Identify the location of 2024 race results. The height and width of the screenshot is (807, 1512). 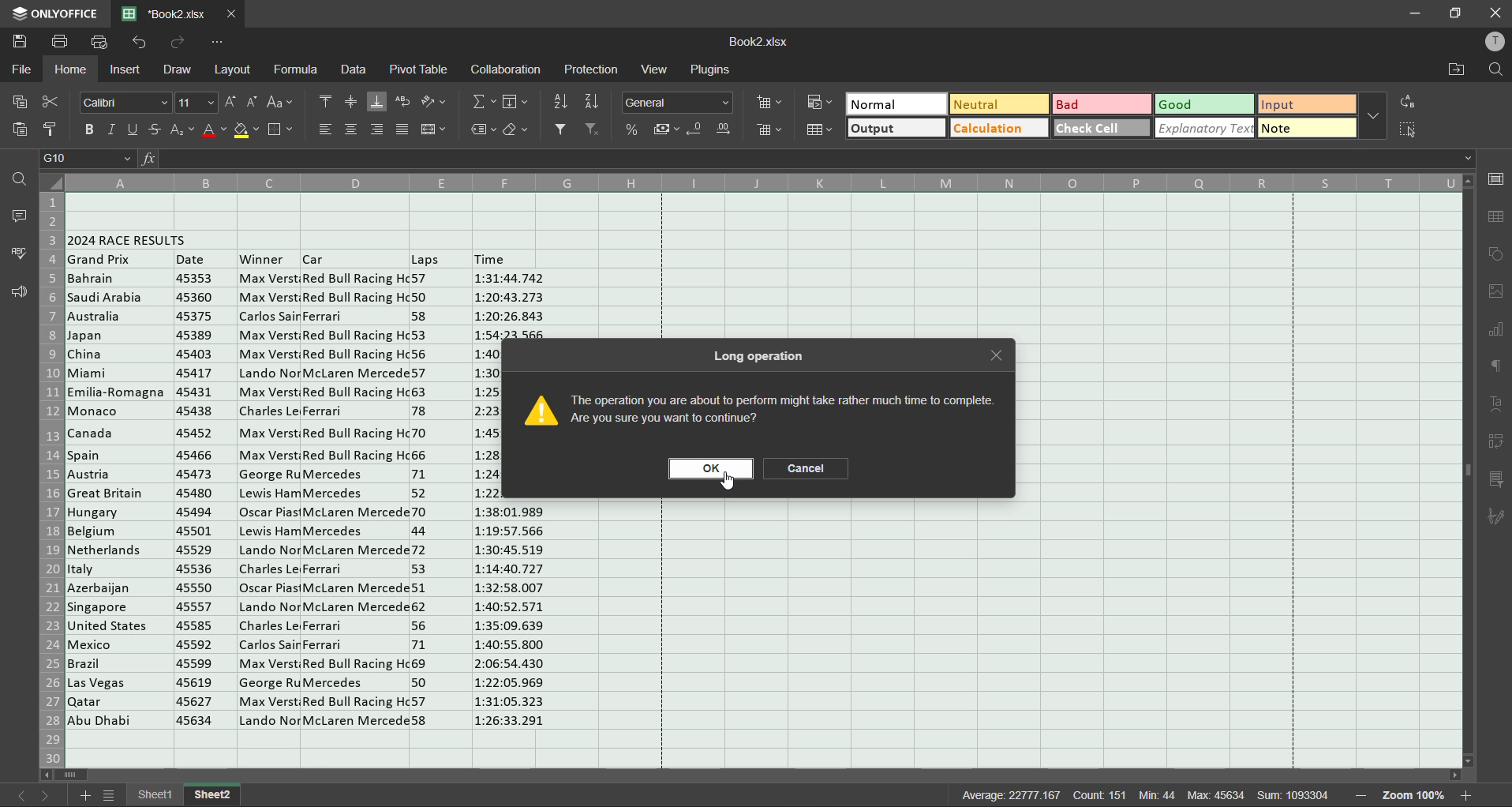
(131, 240).